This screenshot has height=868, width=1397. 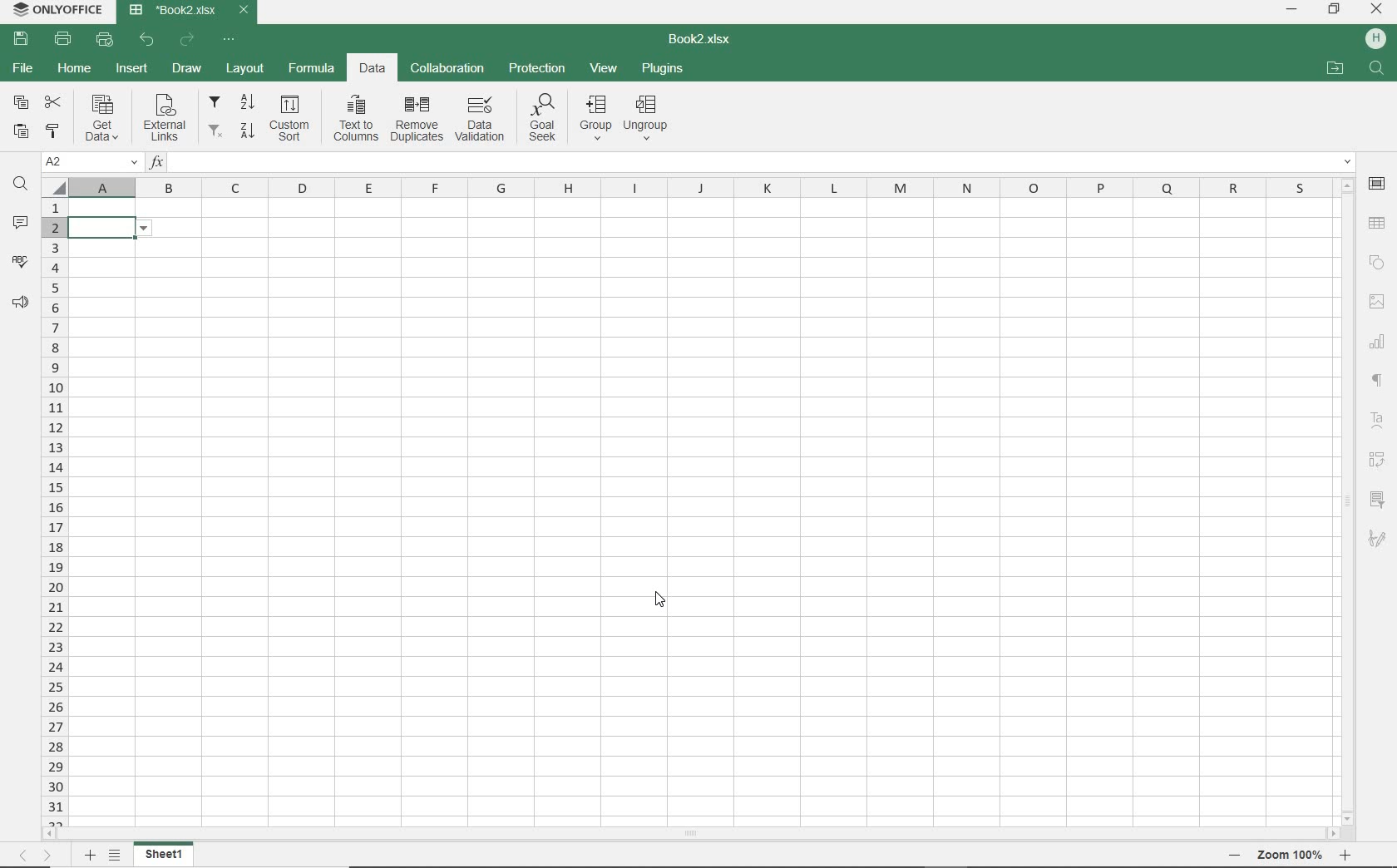 I want to click on ROWS, so click(x=53, y=508).